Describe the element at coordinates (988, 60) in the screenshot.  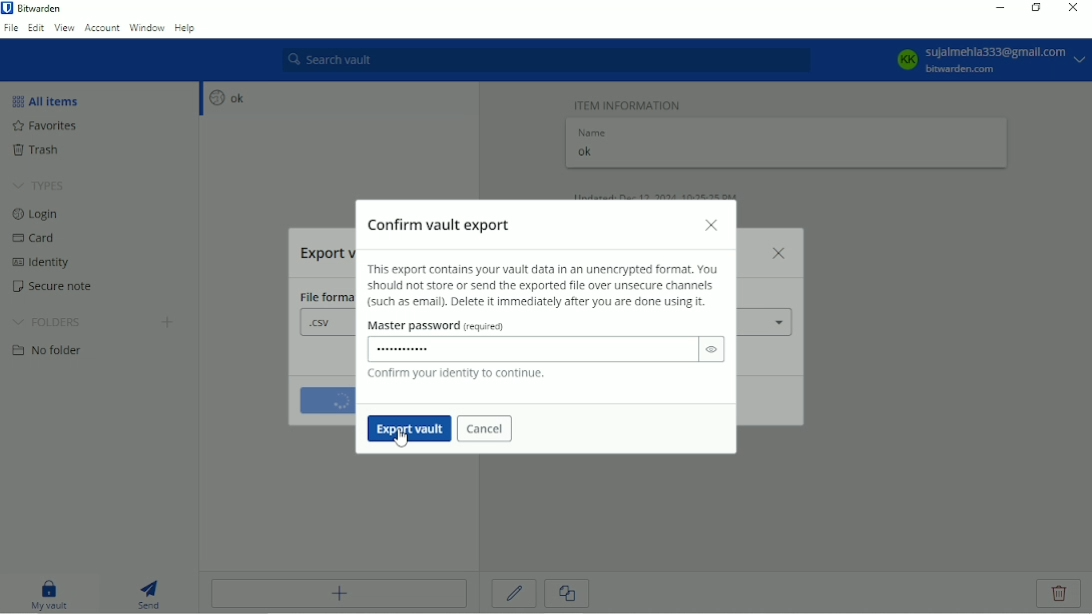
I see `KK sujalmehla333@gmail.com       bitwarden.com` at that location.